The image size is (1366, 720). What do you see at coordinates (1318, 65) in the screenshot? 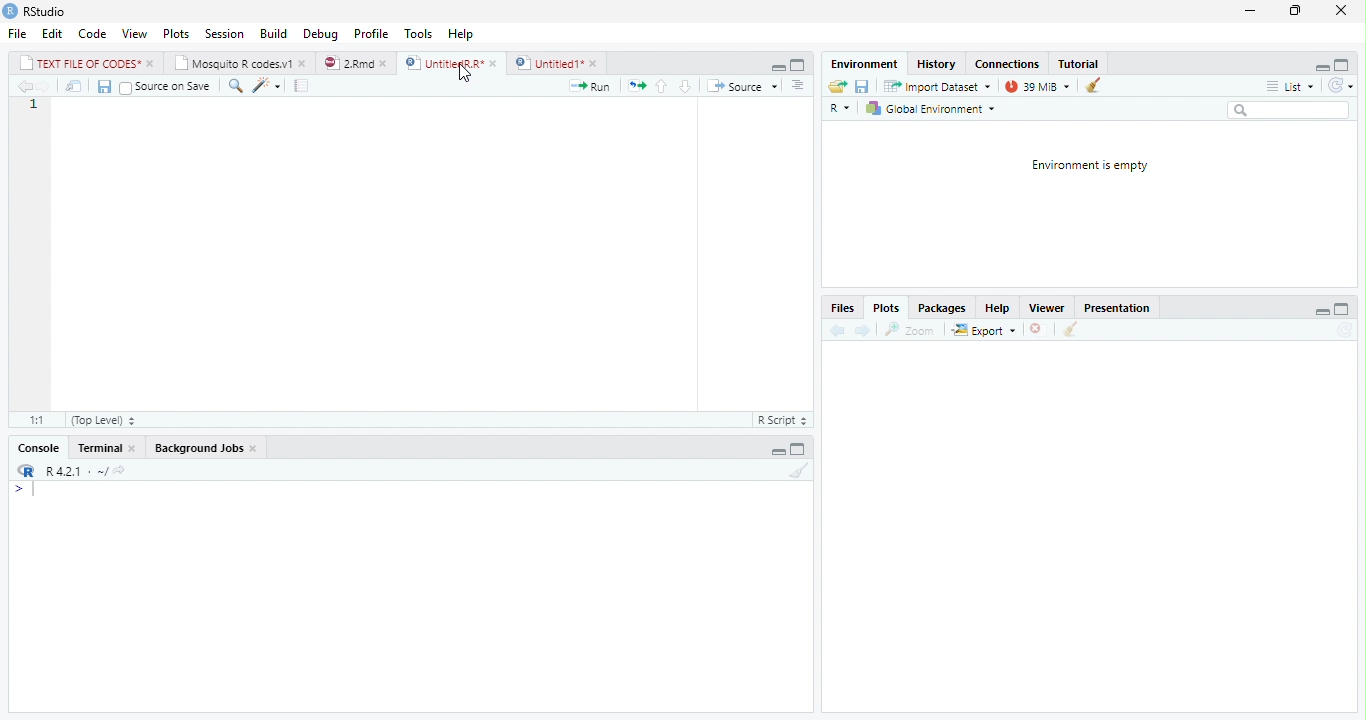
I see `Minimize` at bounding box center [1318, 65].